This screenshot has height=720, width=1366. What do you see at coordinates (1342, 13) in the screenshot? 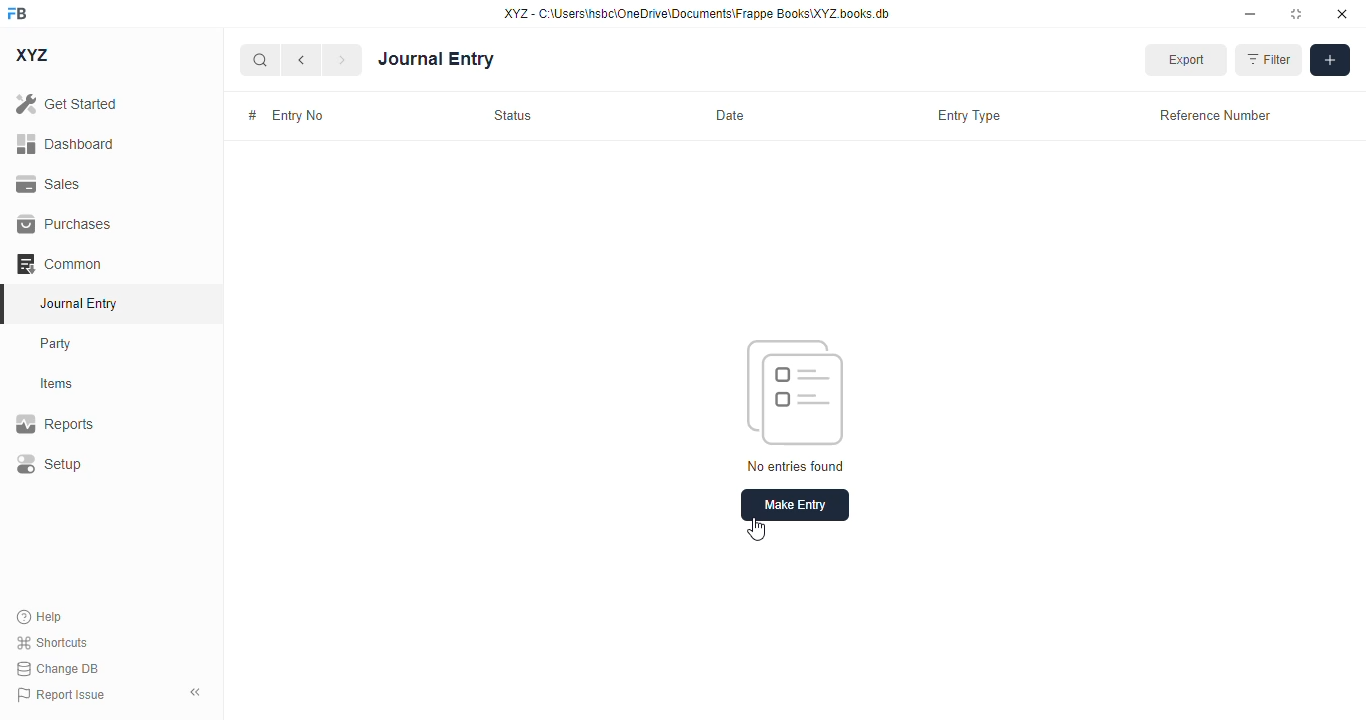
I see `close` at bounding box center [1342, 13].